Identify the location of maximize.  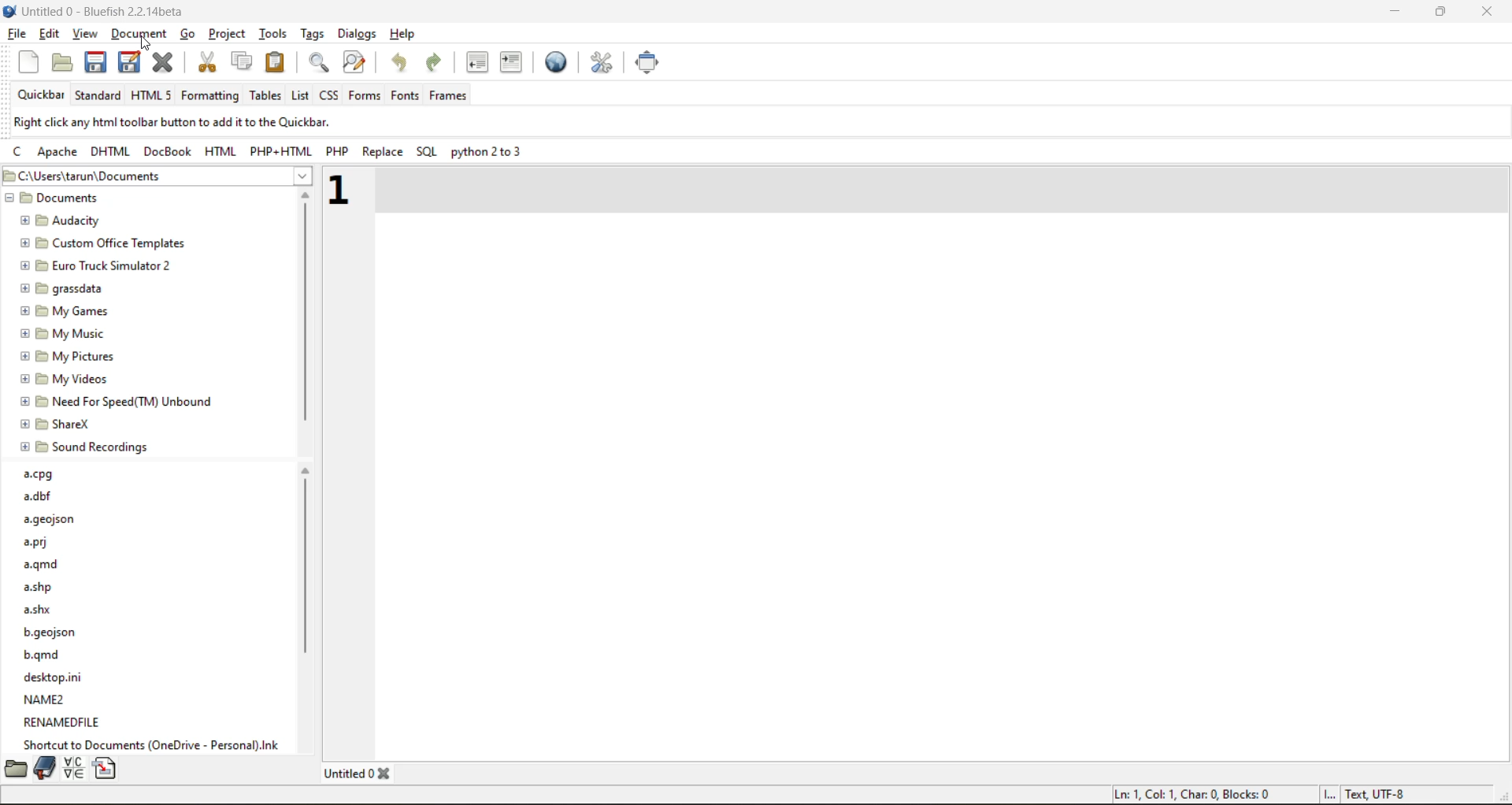
(1439, 12).